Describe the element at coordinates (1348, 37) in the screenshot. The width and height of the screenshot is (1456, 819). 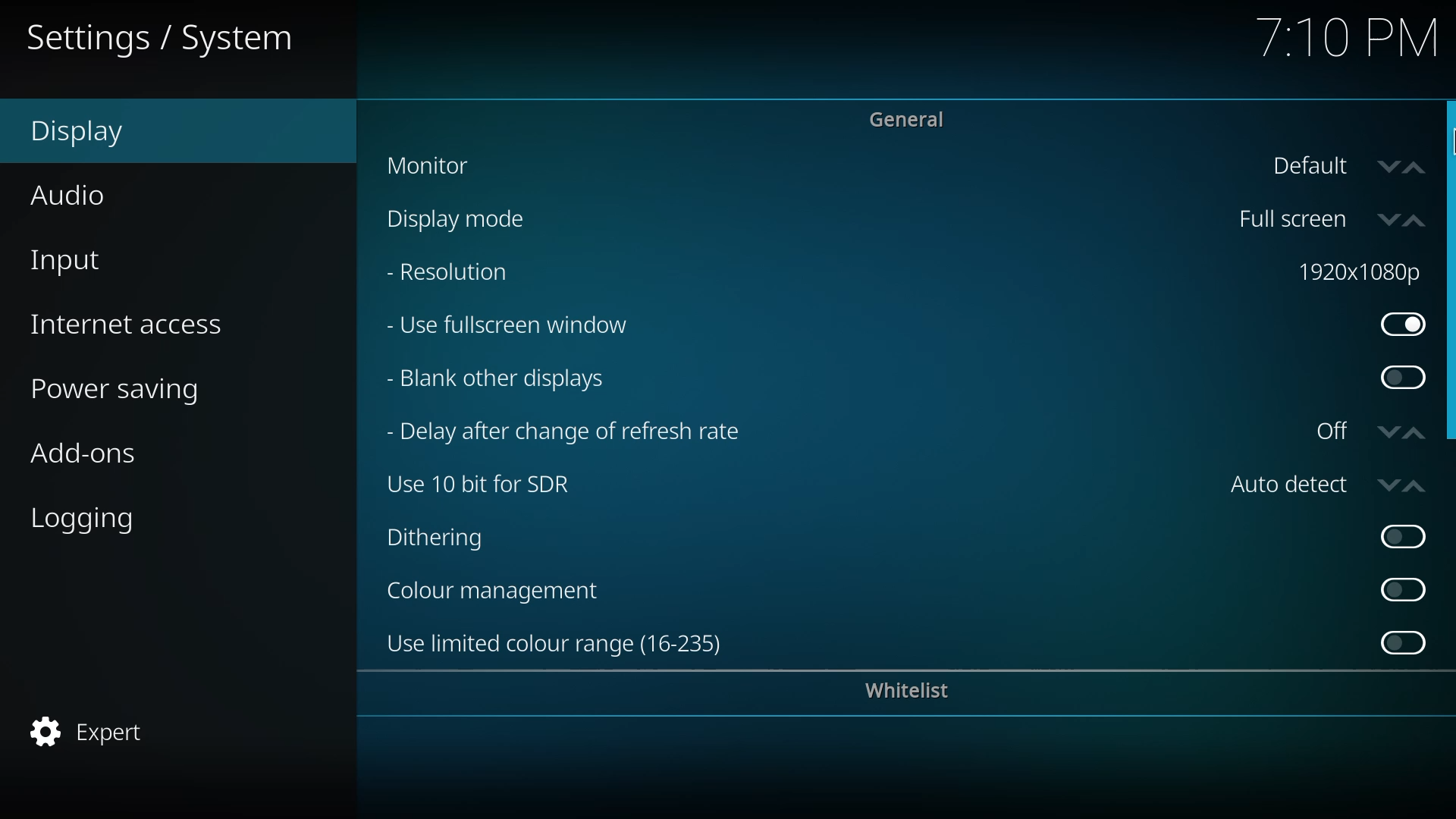
I see `time` at that location.